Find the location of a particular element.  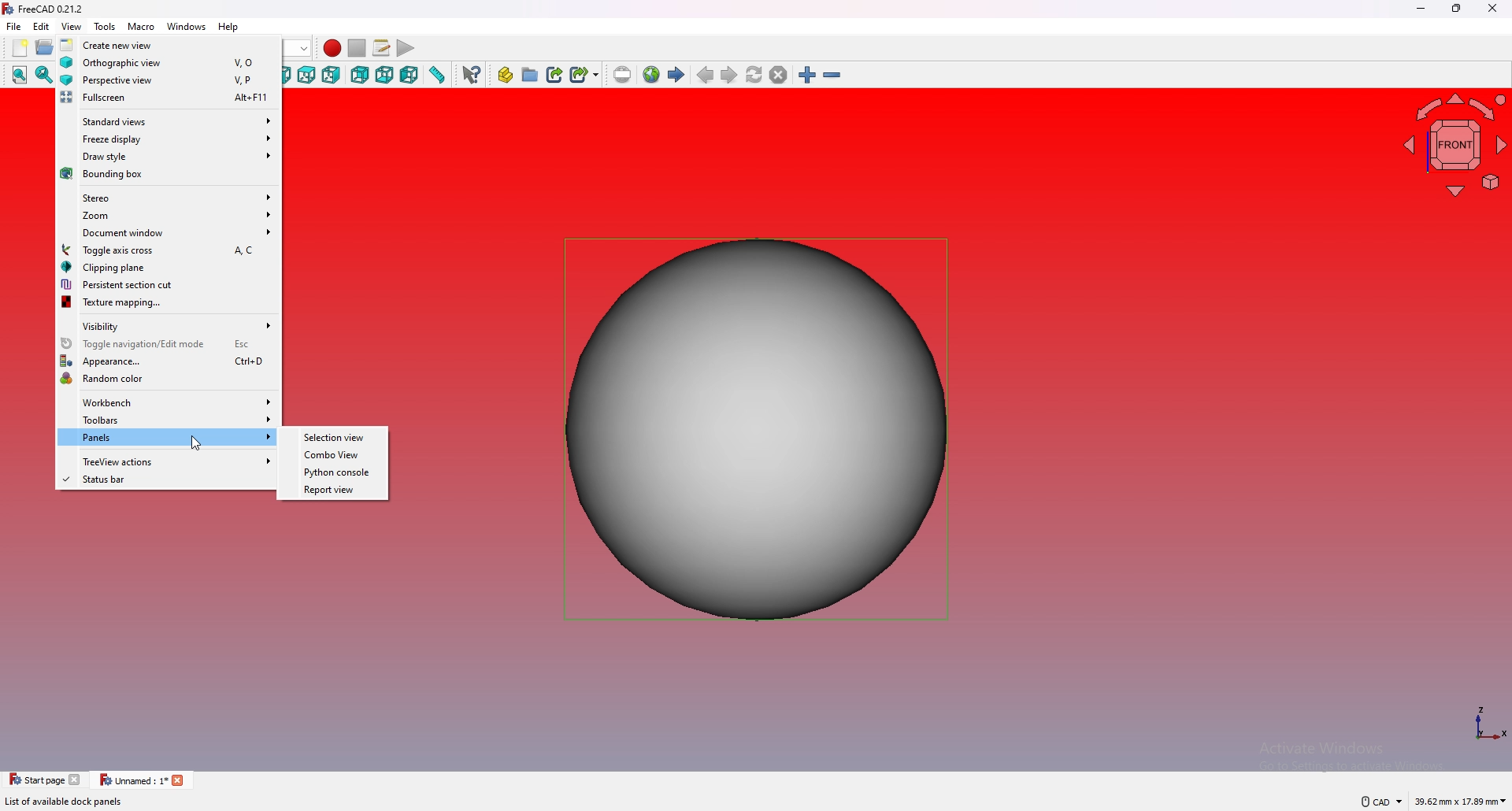

new is located at coordinates (18, 48).